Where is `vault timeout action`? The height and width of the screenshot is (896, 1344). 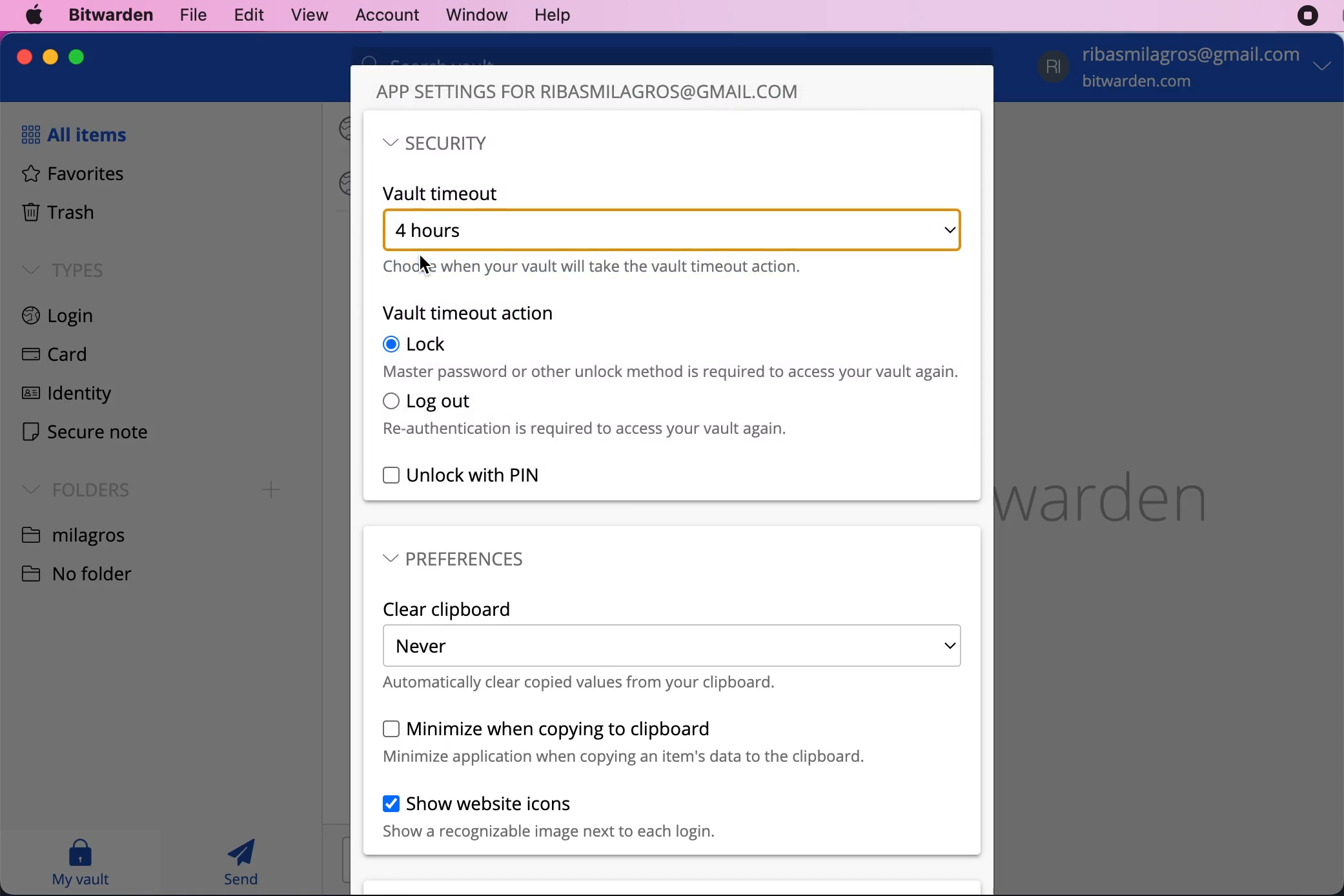 vault timeout action is located at coordinates (469, 313).